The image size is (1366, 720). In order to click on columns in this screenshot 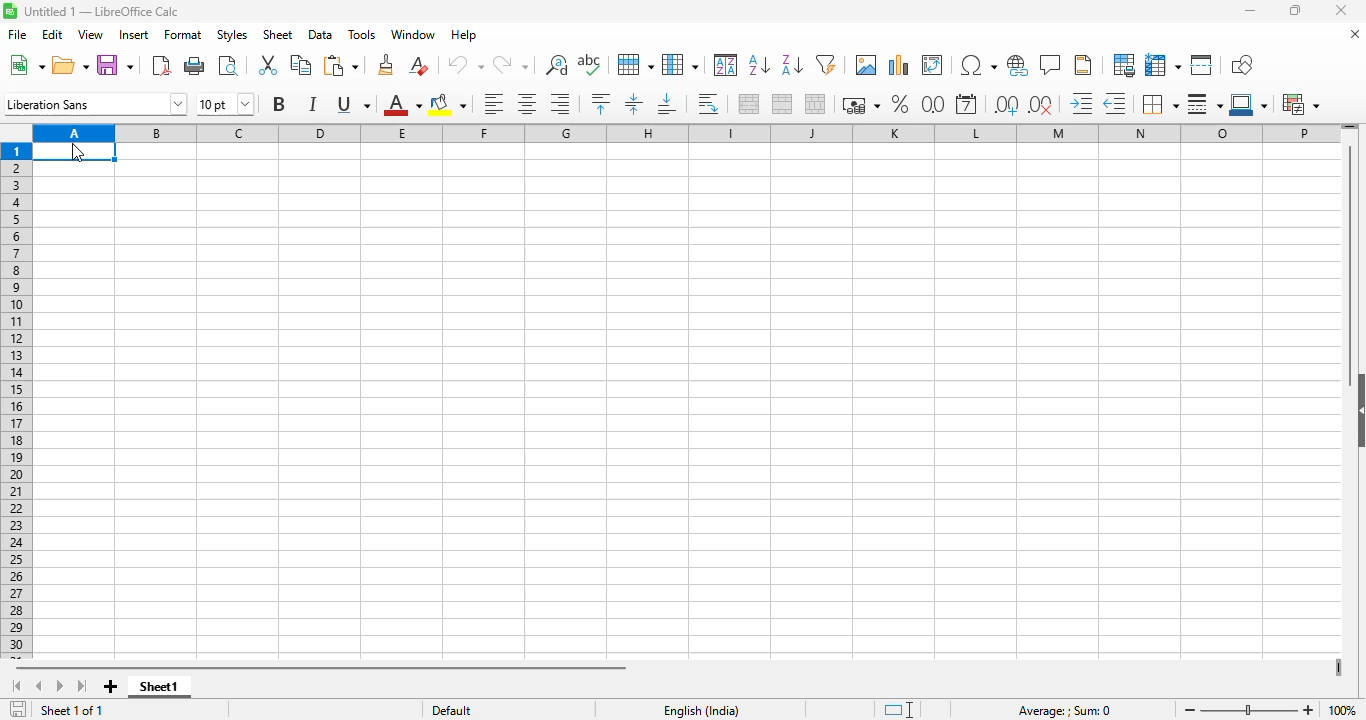, I will do `click(685, 133)`.